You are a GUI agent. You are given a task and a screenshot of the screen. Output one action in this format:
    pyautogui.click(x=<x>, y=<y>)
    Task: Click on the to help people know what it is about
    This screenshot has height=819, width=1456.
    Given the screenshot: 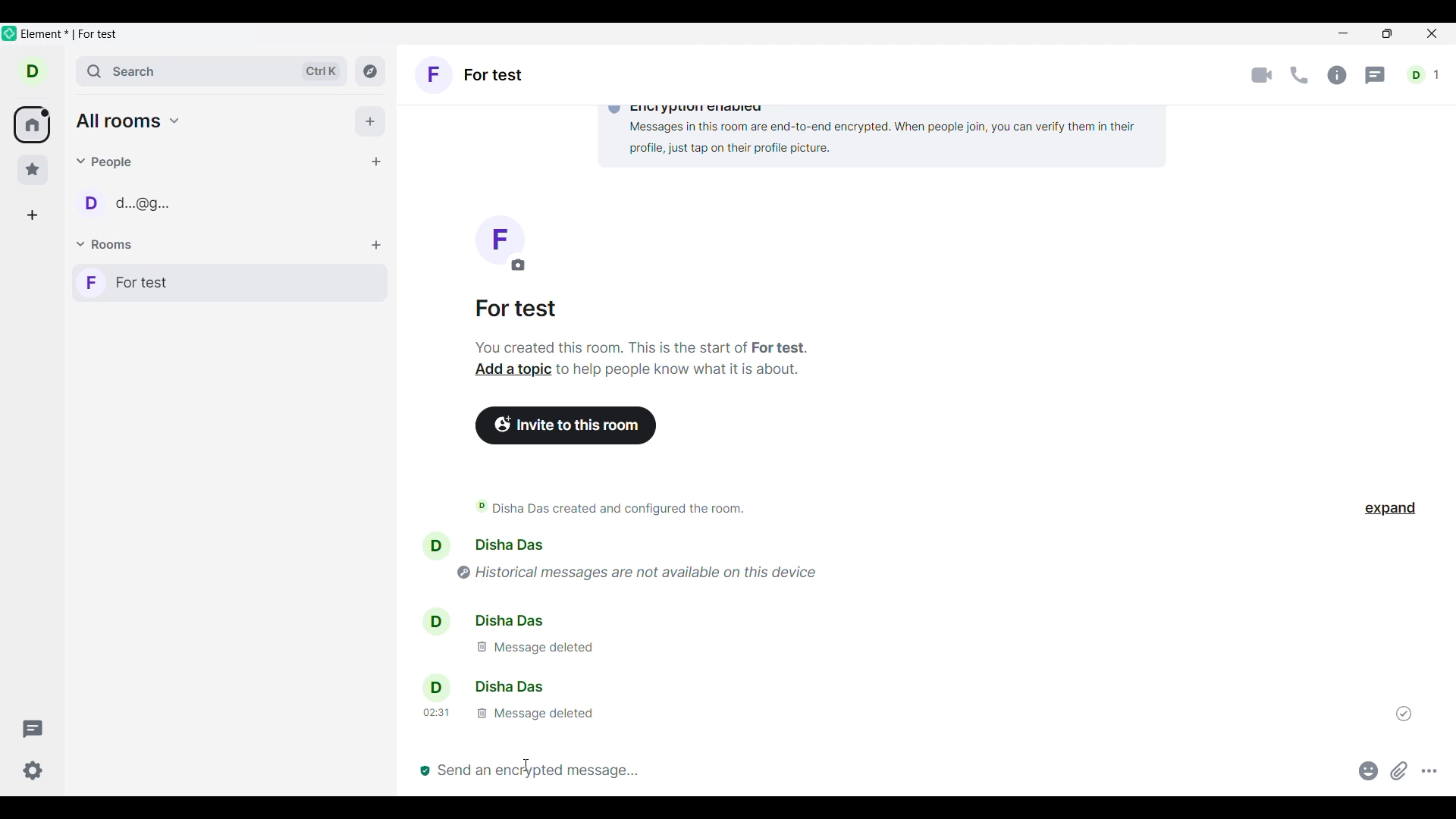 What is the action you would take?
    pyautogui.click(x=681, y=373)
    